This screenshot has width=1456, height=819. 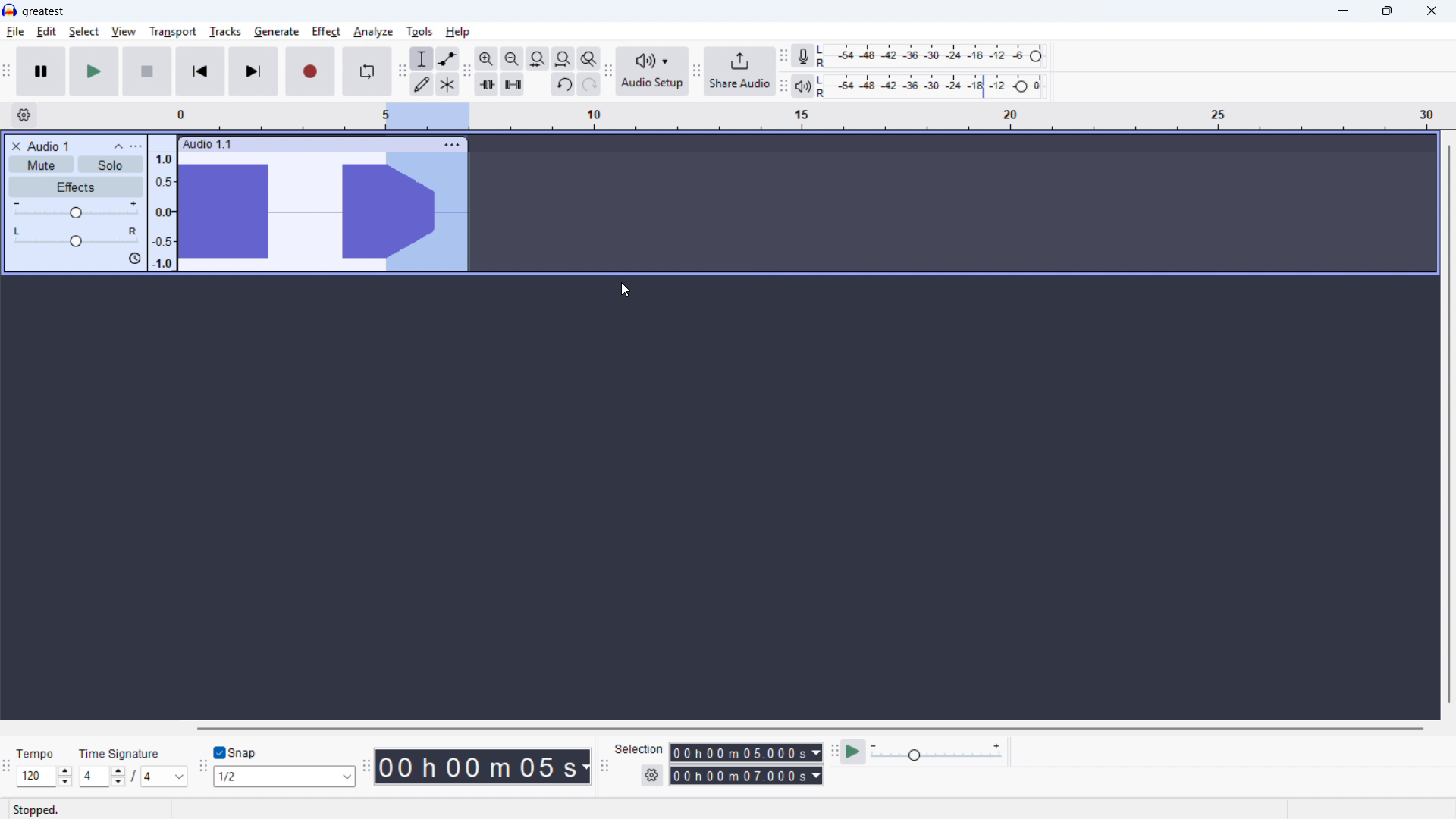 What do you see at coordinates (422, 84) in the screenshot?
I see `Draw tool ` at bounding box center [422, 84].